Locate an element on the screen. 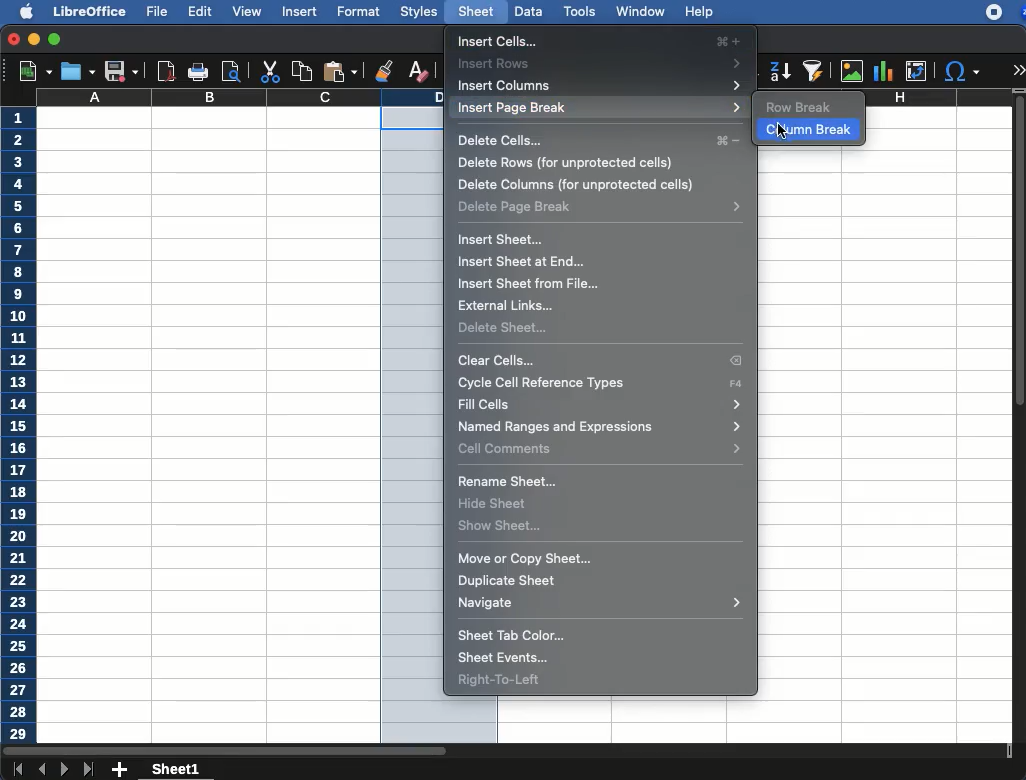 Image resolution: width=1026 pixels, height=780 pixels. delete rows (for unprotected cels) is located at coordinates (567, 163).